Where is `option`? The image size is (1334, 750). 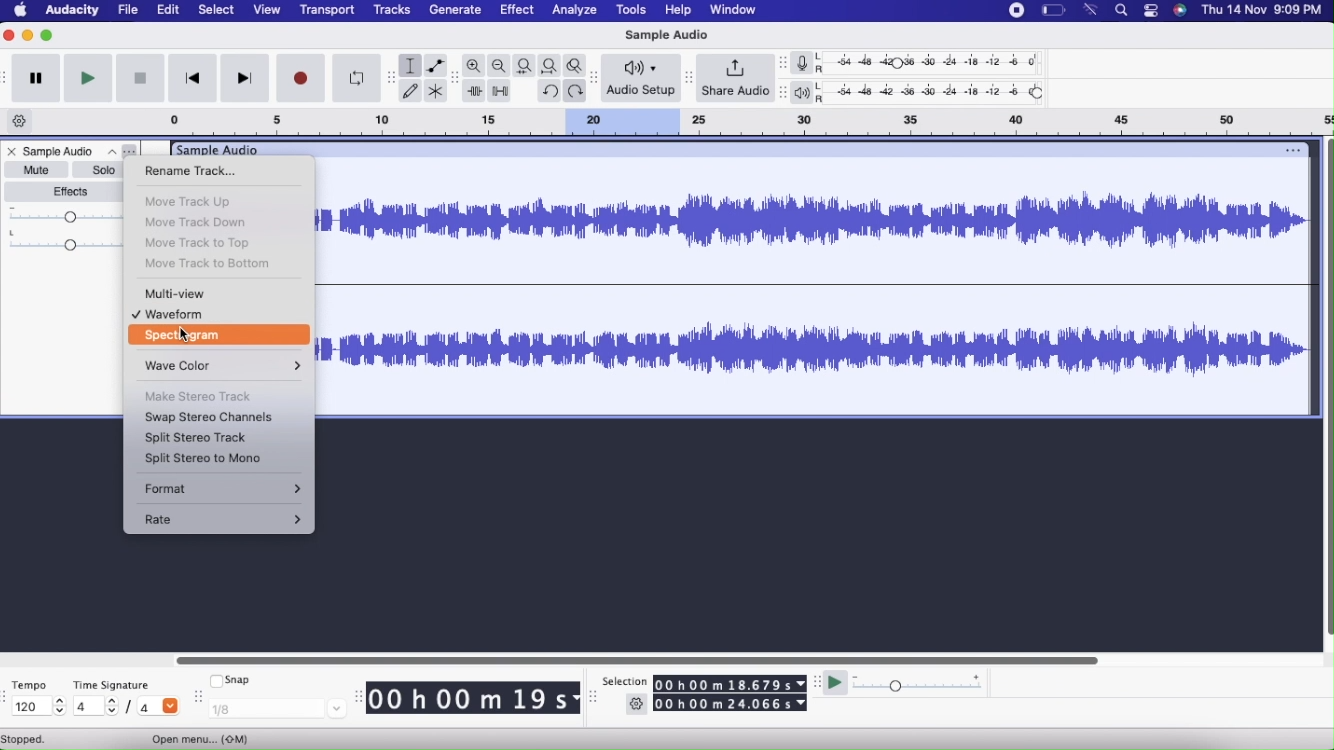
option is located at coordinates (1292, 149).